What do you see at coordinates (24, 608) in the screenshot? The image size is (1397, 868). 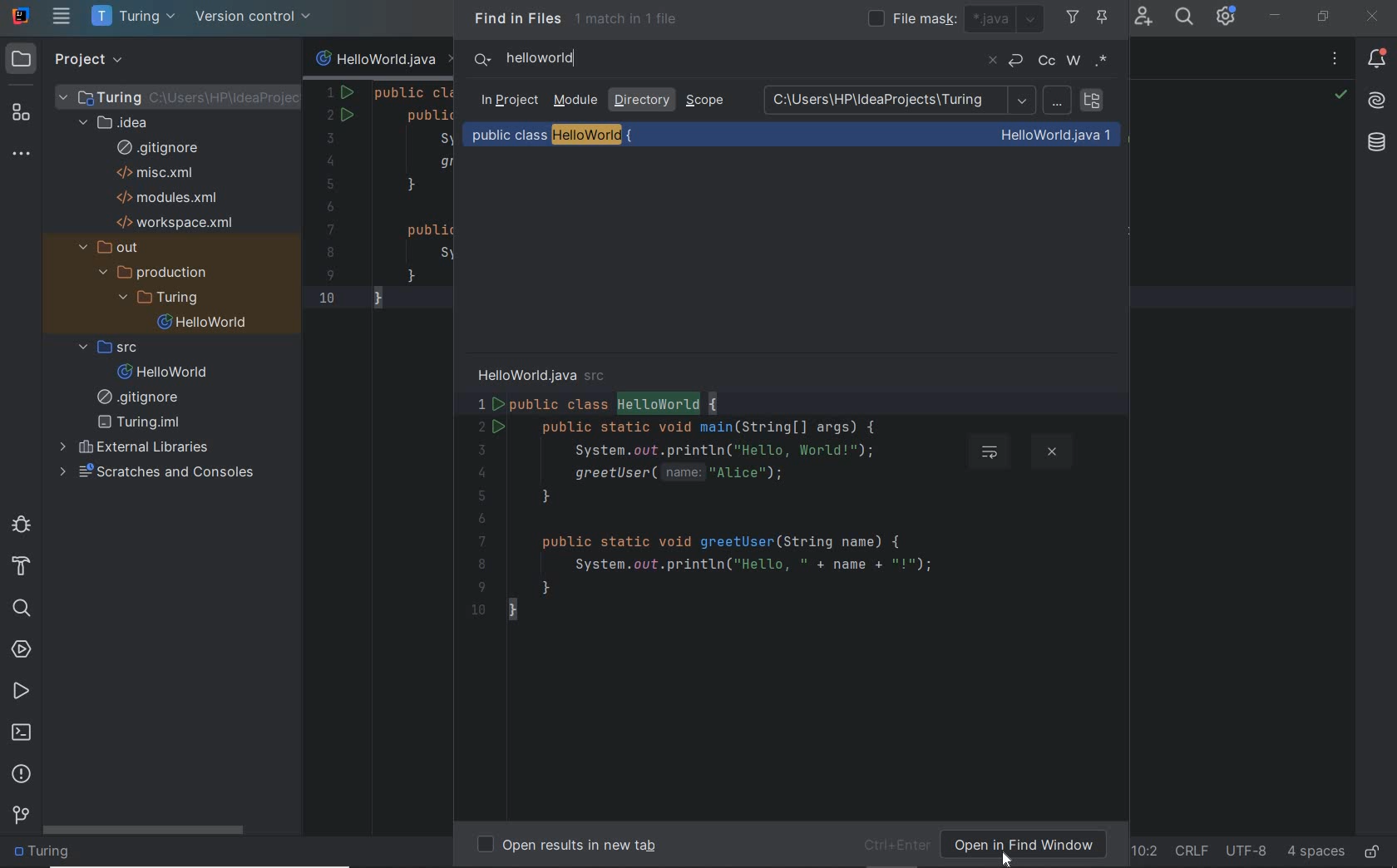 I see `search` at bounding box center [24, 608].